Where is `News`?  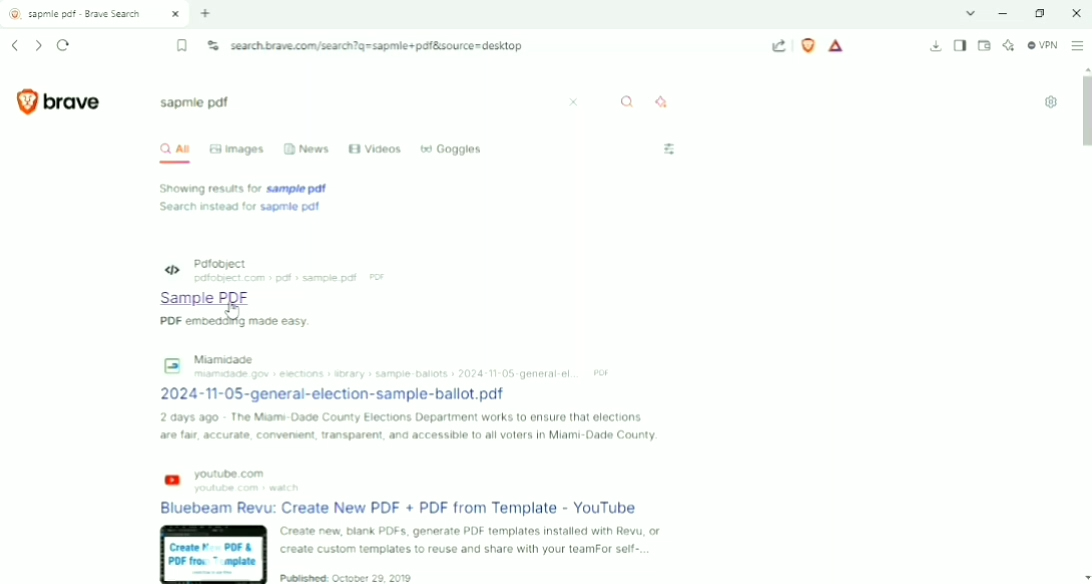
News is located at coordinates (306, 147).